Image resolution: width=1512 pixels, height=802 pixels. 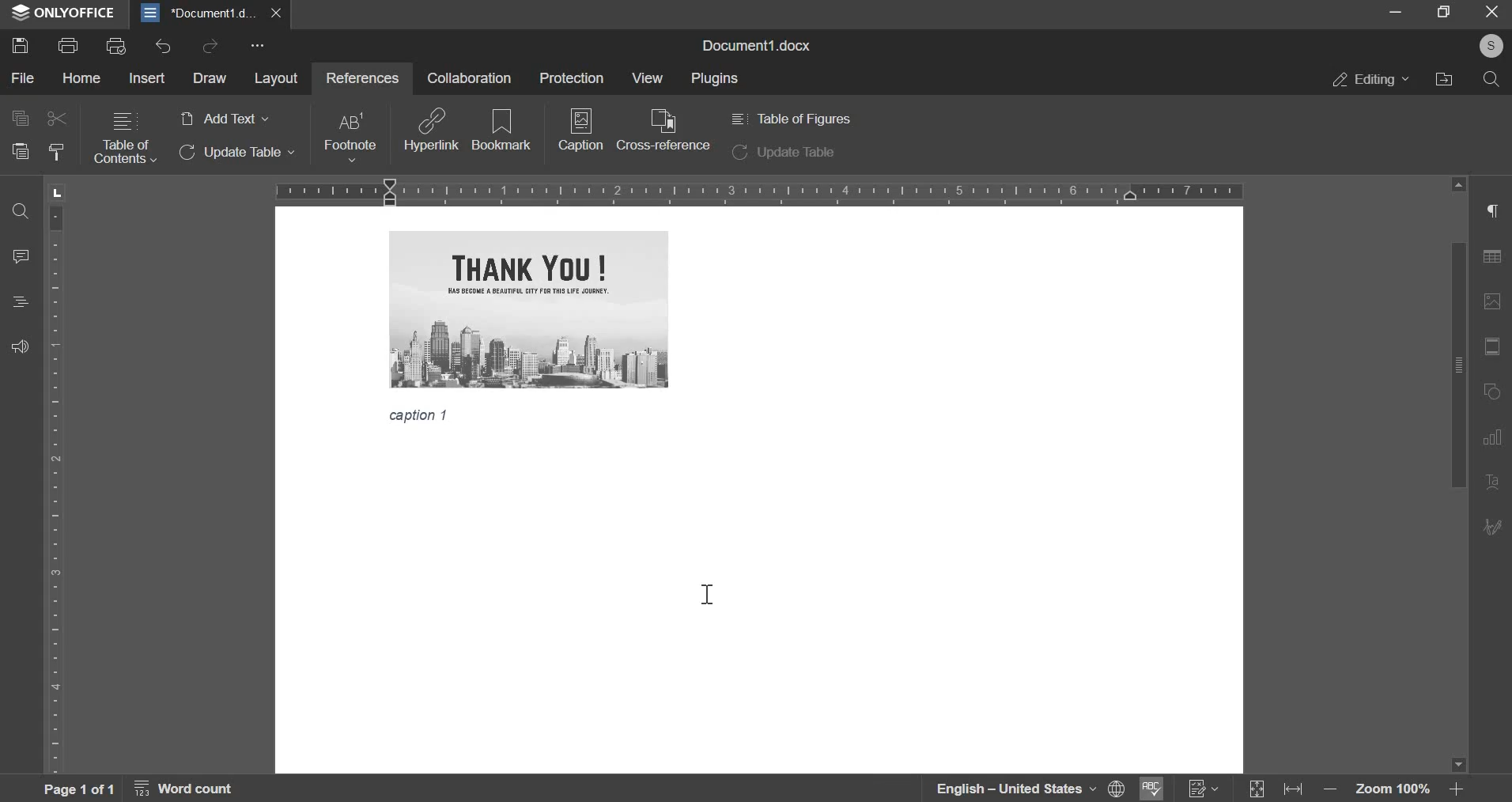 I want to click on update table, so click(x=784, y=153).